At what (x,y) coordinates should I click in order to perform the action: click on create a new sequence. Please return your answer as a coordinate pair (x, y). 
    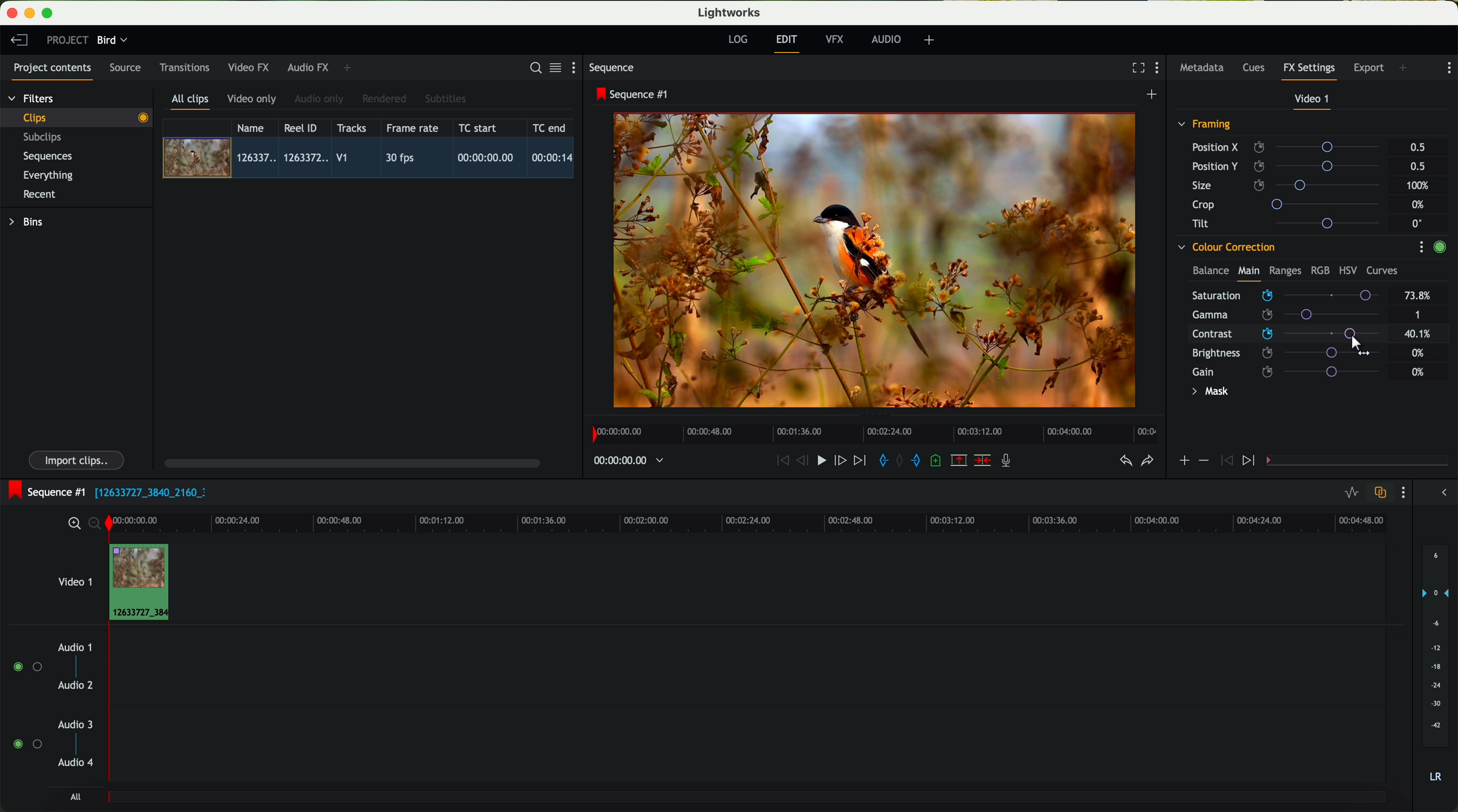
    Looking at the image, I should click on (1153, 95).